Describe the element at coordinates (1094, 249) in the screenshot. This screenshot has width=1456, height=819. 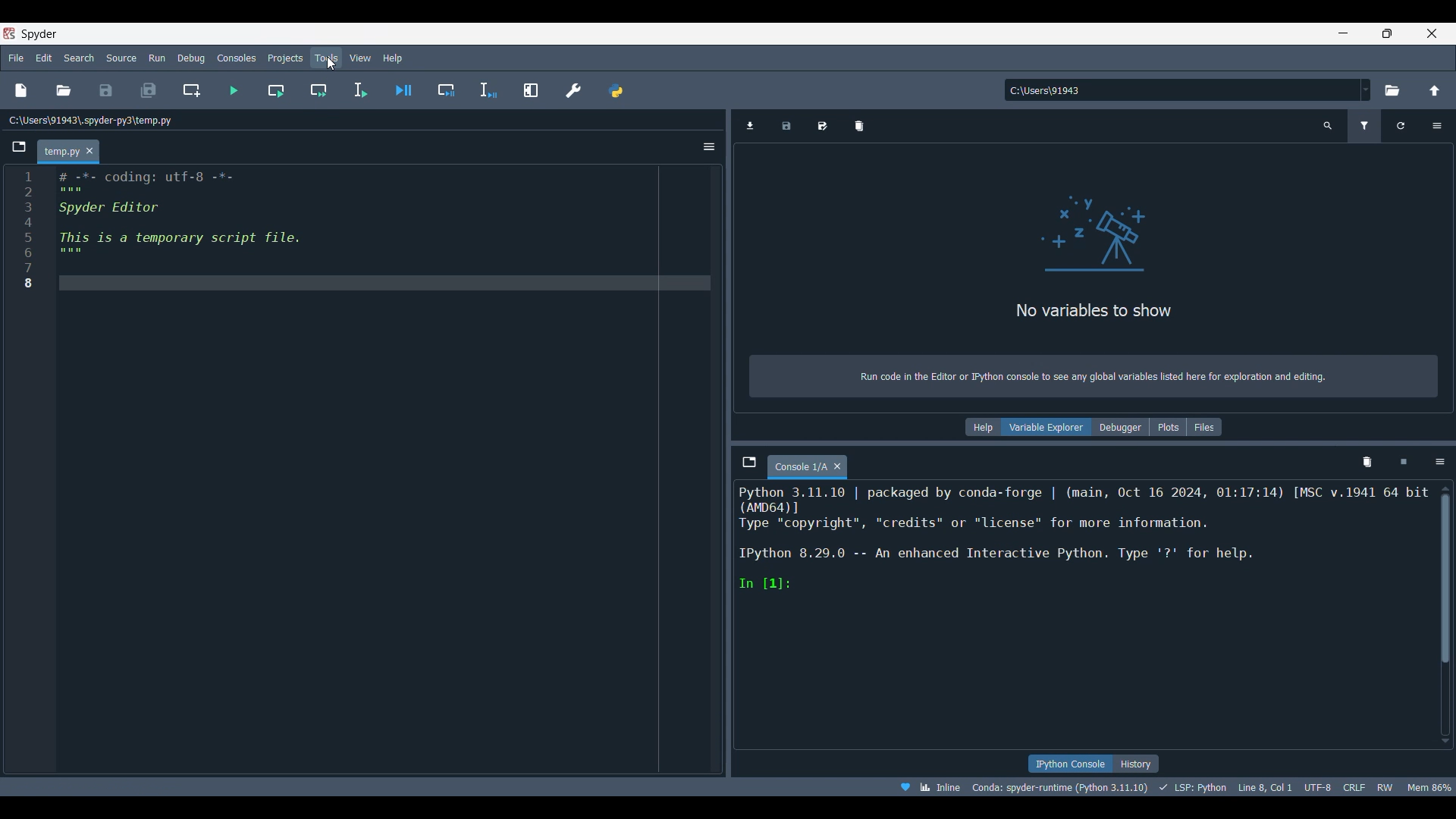
I see `variable explorer pane` at that location.